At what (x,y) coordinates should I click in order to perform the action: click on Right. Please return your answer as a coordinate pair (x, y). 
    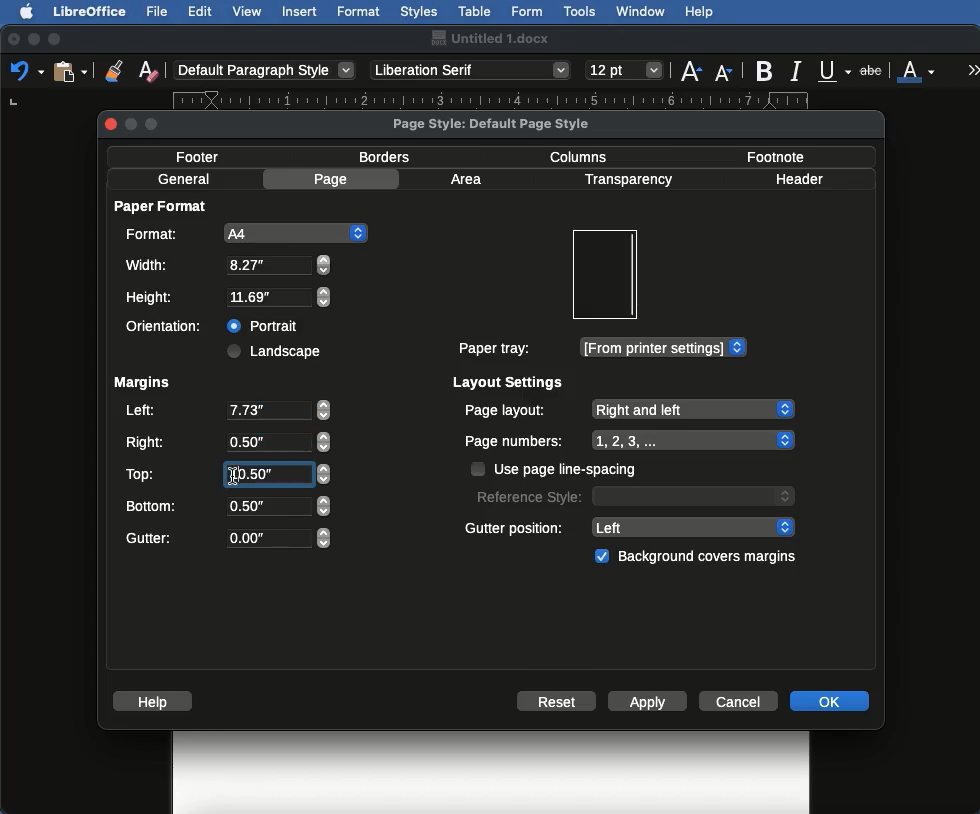
    Looking at the image, I should click on (226, 443).